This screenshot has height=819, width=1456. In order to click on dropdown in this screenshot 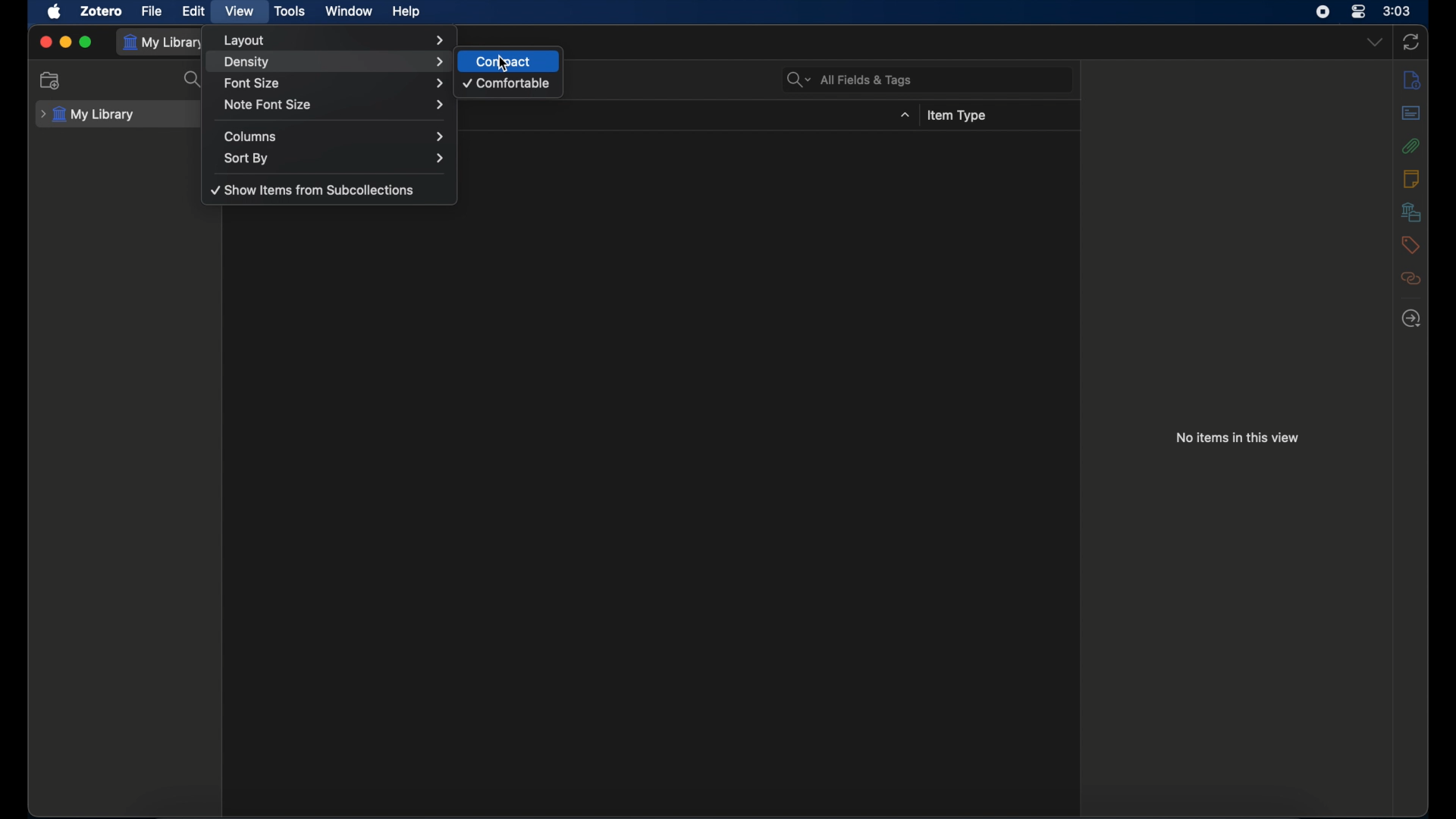, I will do `click(905, 115)`.